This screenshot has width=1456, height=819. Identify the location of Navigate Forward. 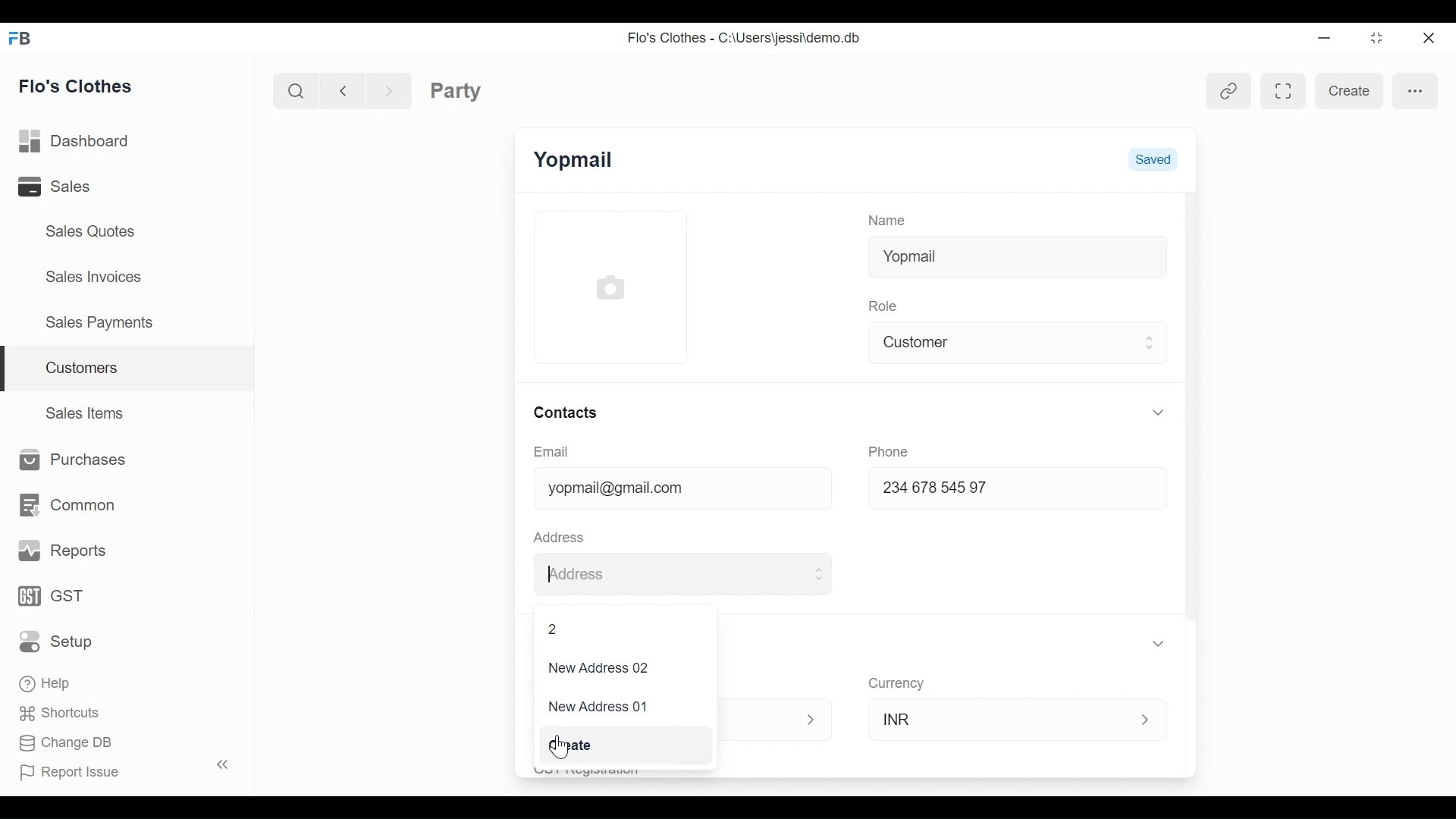
(389, 89).